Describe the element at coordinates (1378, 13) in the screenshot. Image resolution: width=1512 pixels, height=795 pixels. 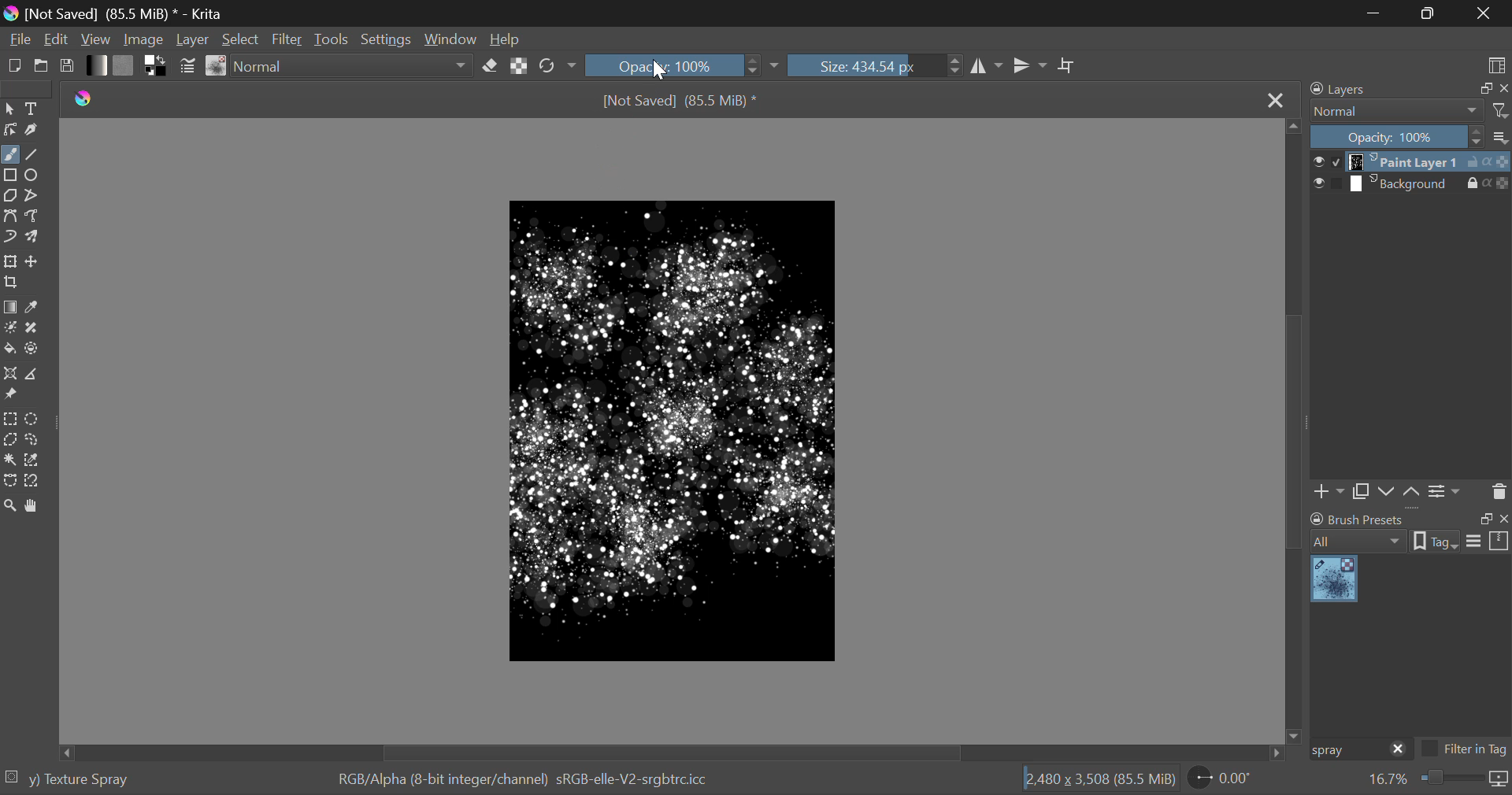
I see `Restore Down` at that location.